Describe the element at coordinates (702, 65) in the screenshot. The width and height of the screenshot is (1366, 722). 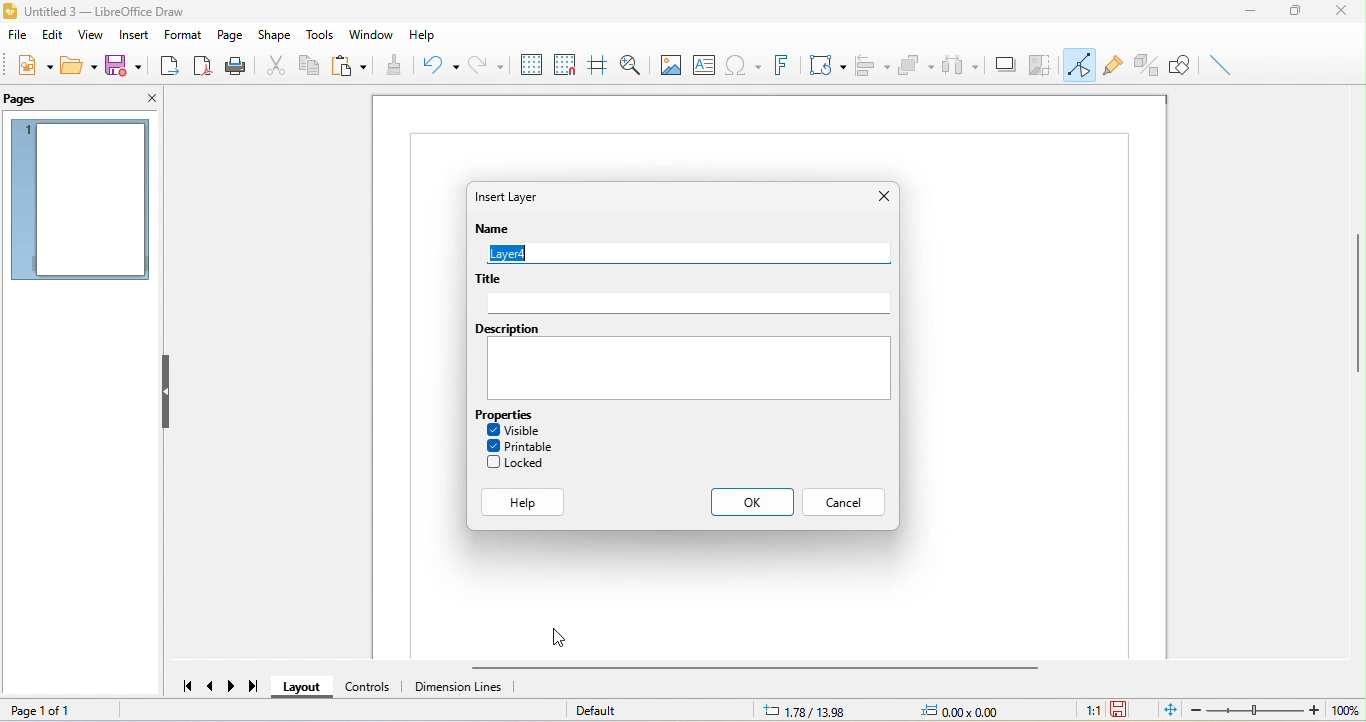
I see `text box` at that location.